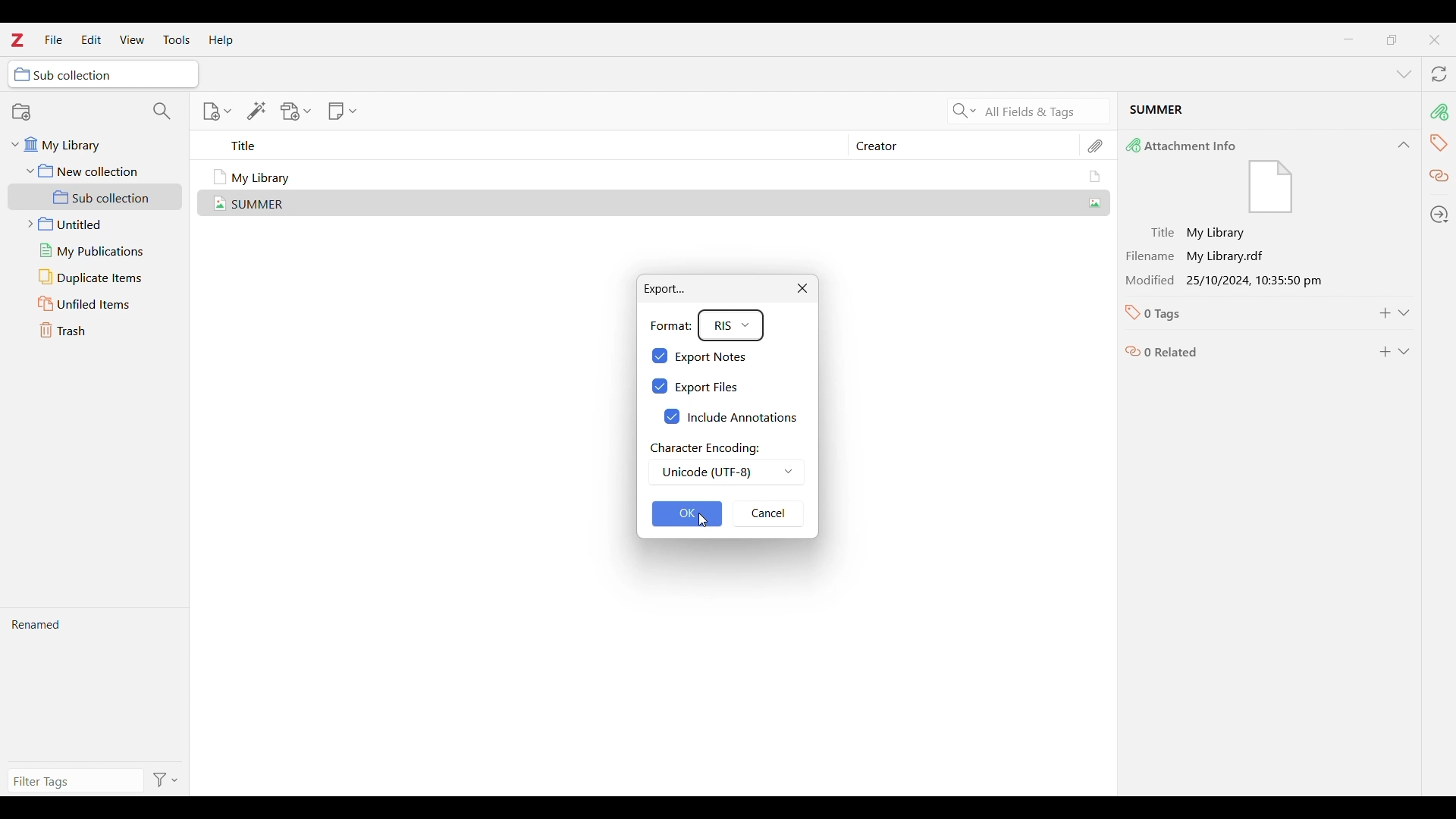 The height and width of the screenshot is (819, 1456). What do you see at coordinates (73, 781) in the screenshot?
I see `Type filter tag` at bounding box center [73, 781].